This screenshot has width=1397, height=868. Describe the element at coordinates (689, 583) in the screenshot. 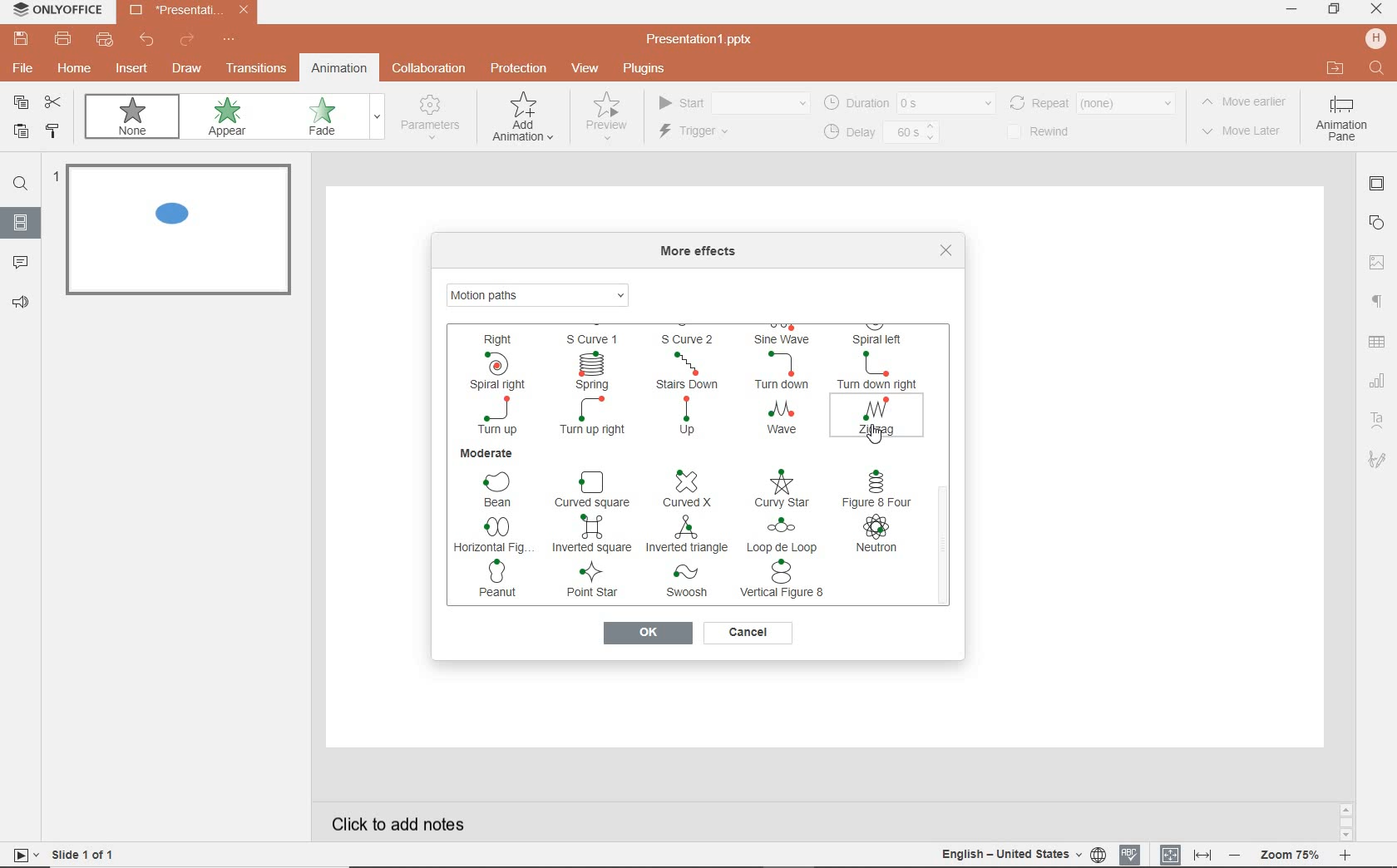

I see `SWOOSH` at that location.